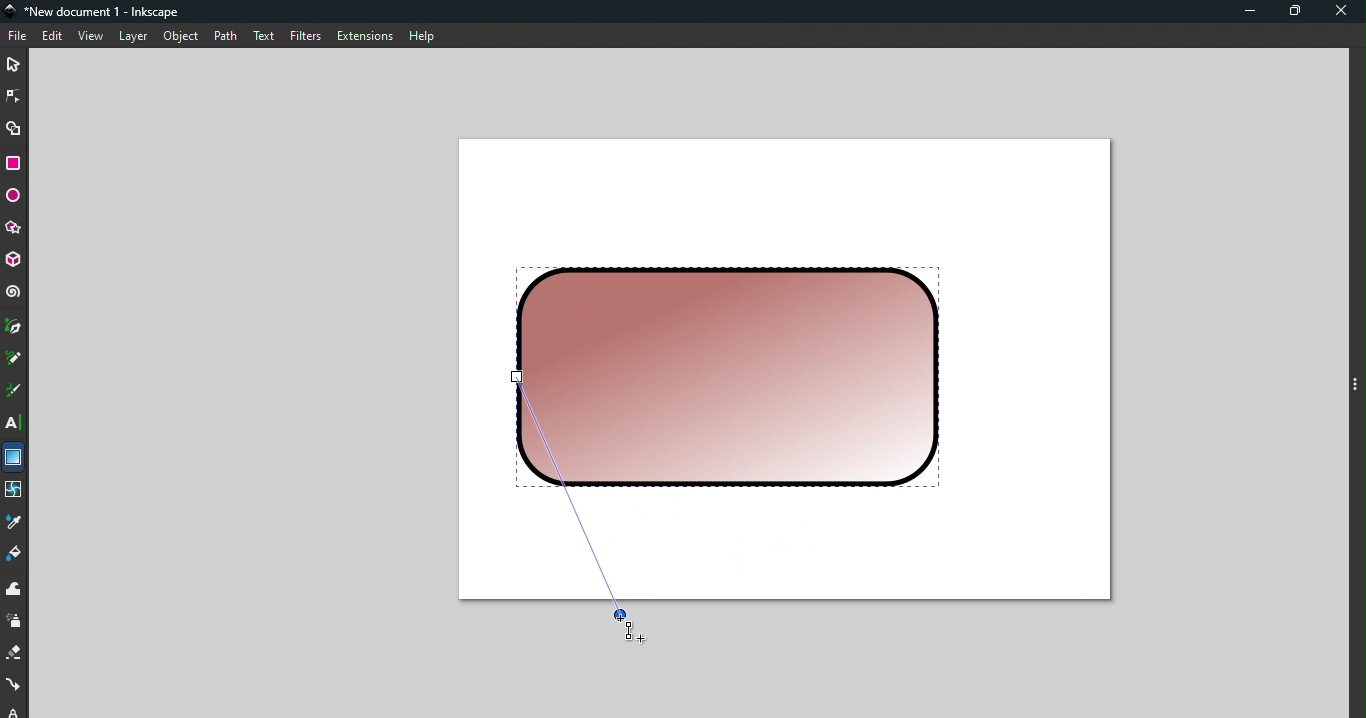  What do you see at coordinates (15, 423) in the screenshot?
I see `Text tool` at bounding box center [15, 423].